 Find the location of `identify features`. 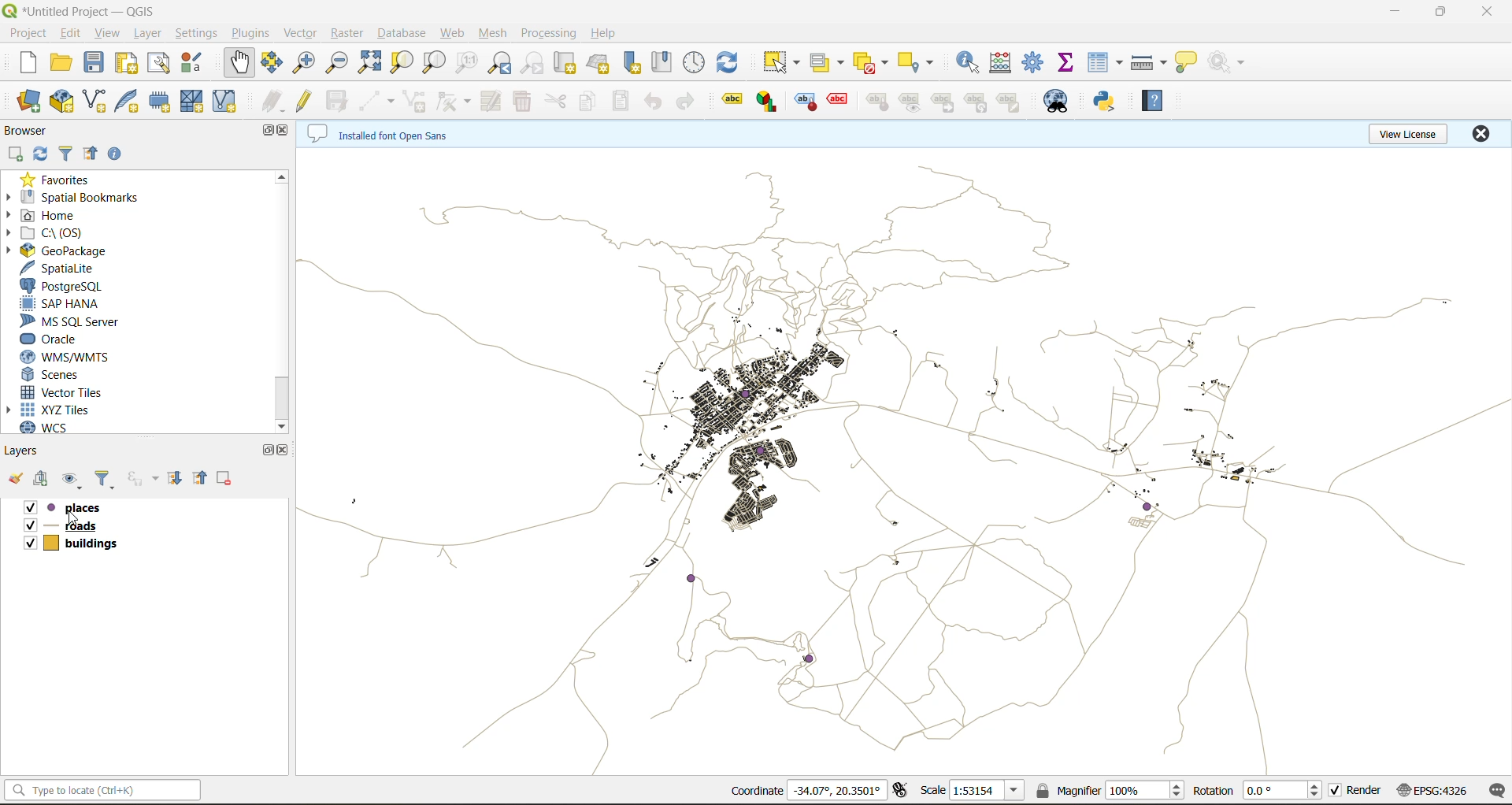

identify features is located at coordinates (972, 63).